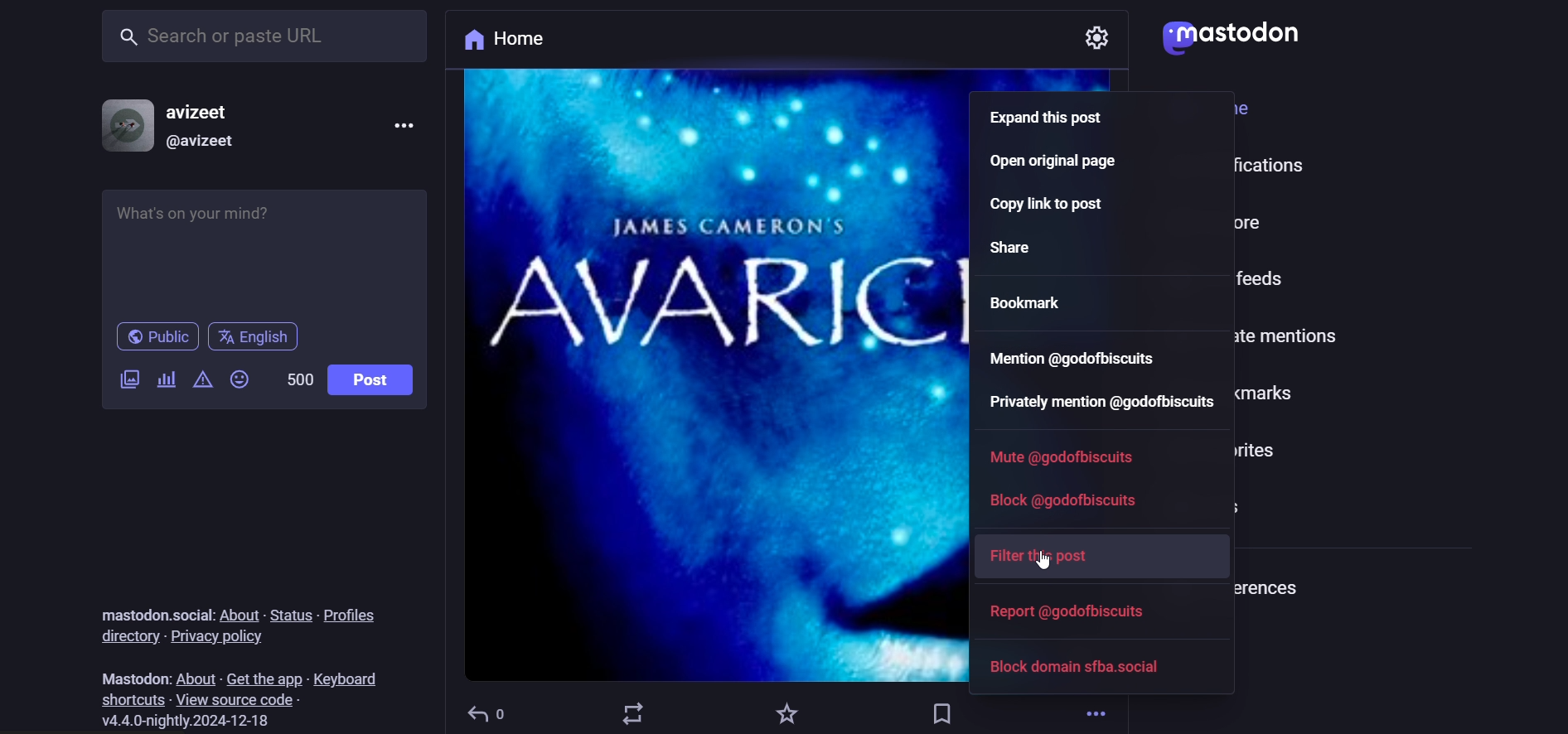  I want to click on post, so click(378, 382).